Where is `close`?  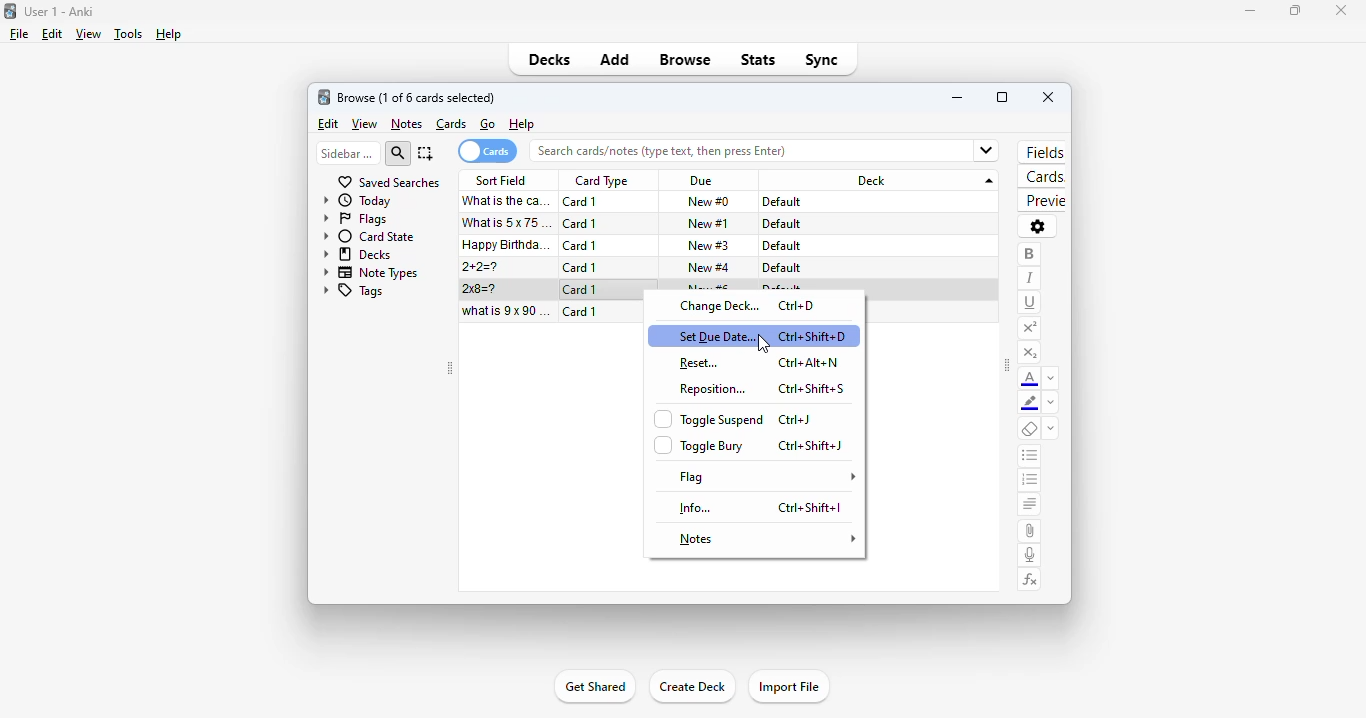
close is located at coordinates (1340, 9).